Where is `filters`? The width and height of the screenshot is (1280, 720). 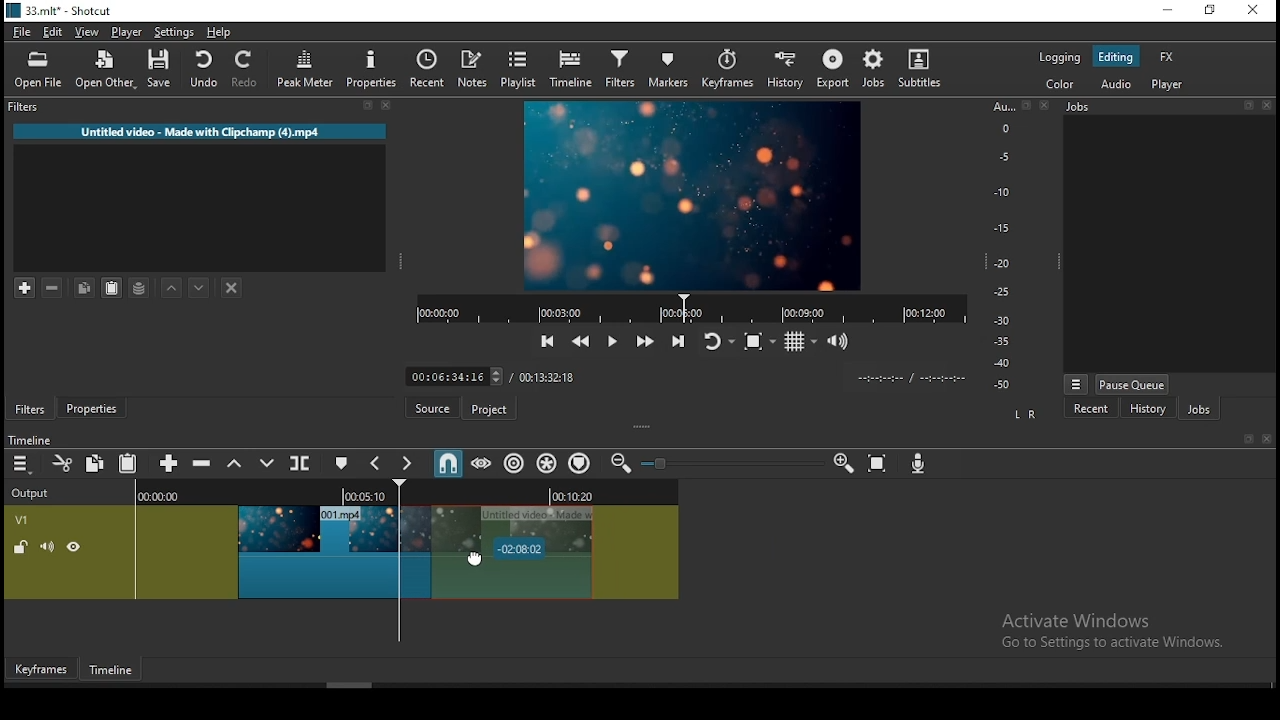 filters is located at coordinates (619, 70).